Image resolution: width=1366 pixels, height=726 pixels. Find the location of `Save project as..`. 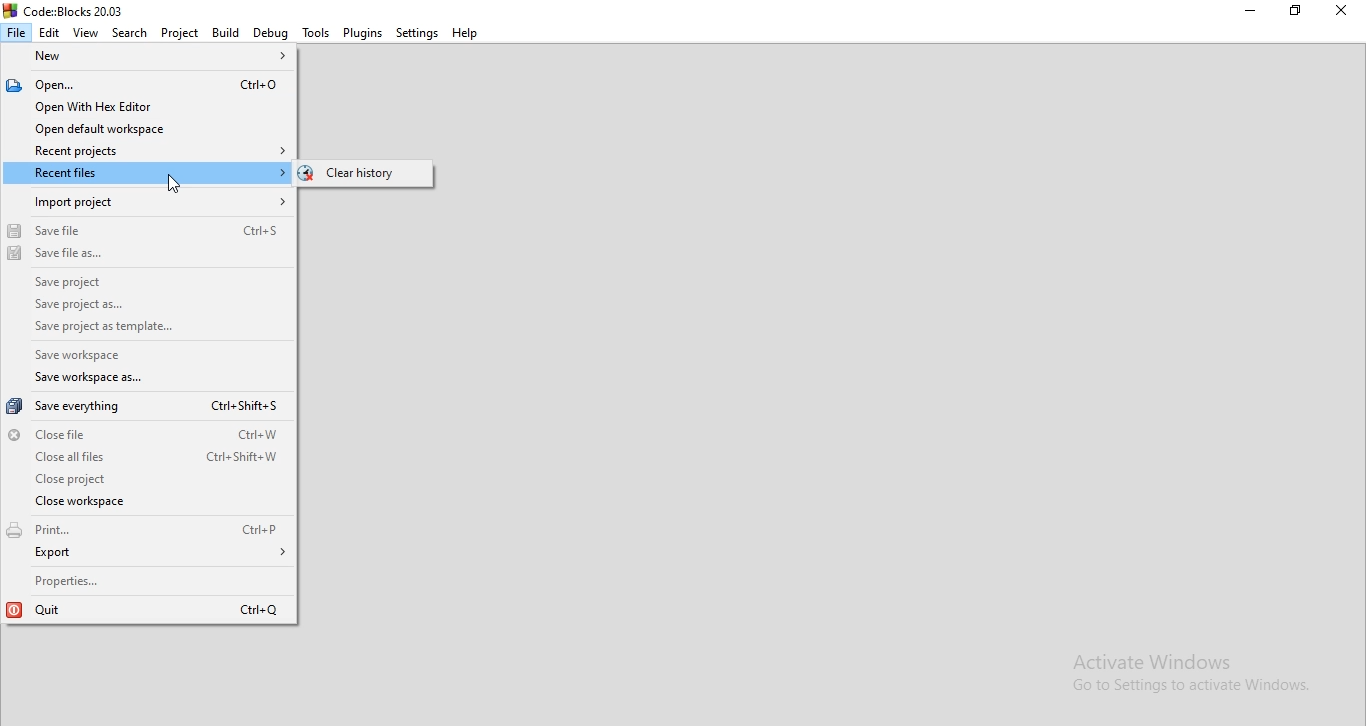

Save project as.. is located at coordinates (148, 308).